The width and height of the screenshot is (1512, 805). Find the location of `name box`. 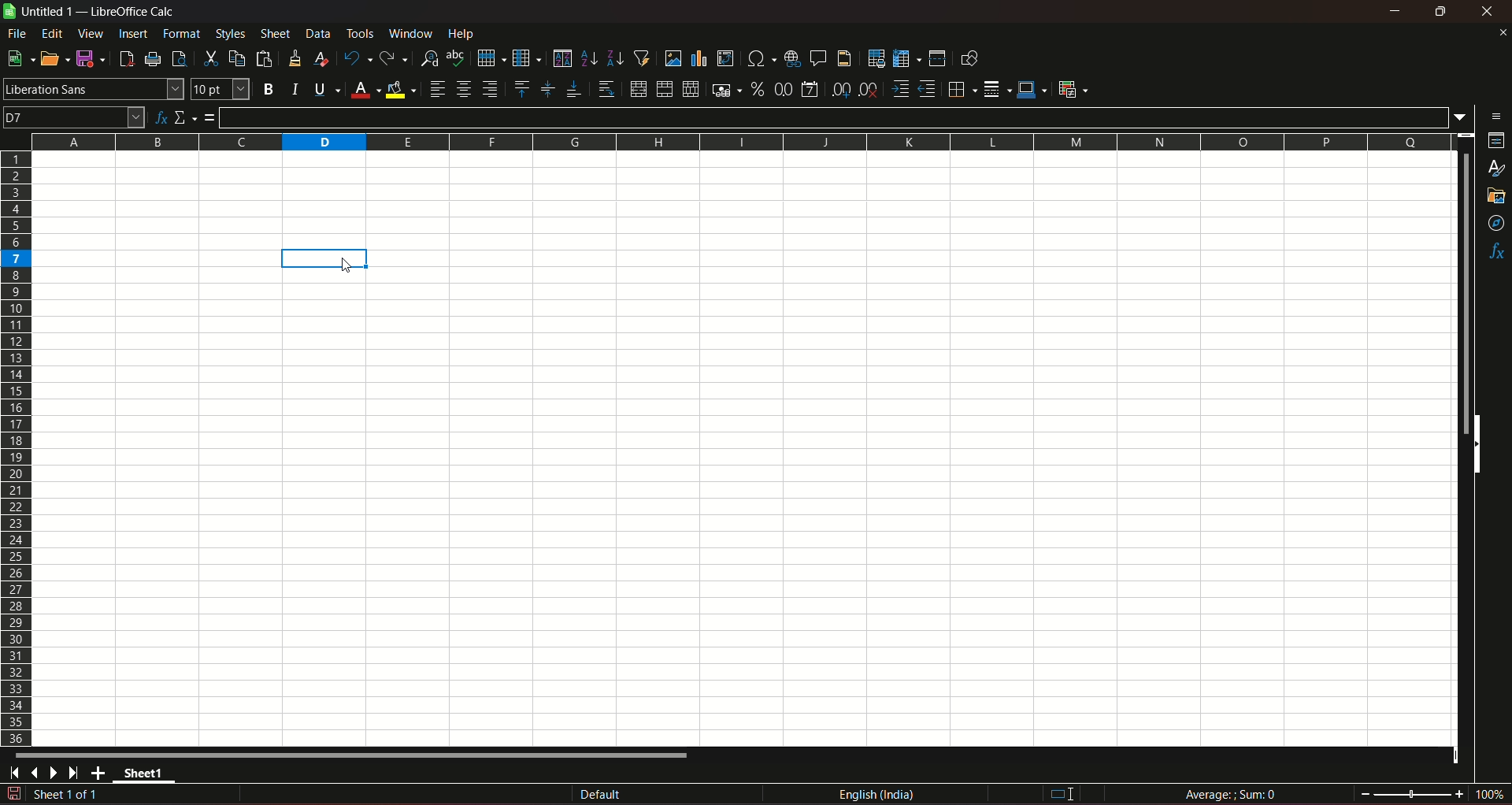

name box is located at coordinates (74, 116).